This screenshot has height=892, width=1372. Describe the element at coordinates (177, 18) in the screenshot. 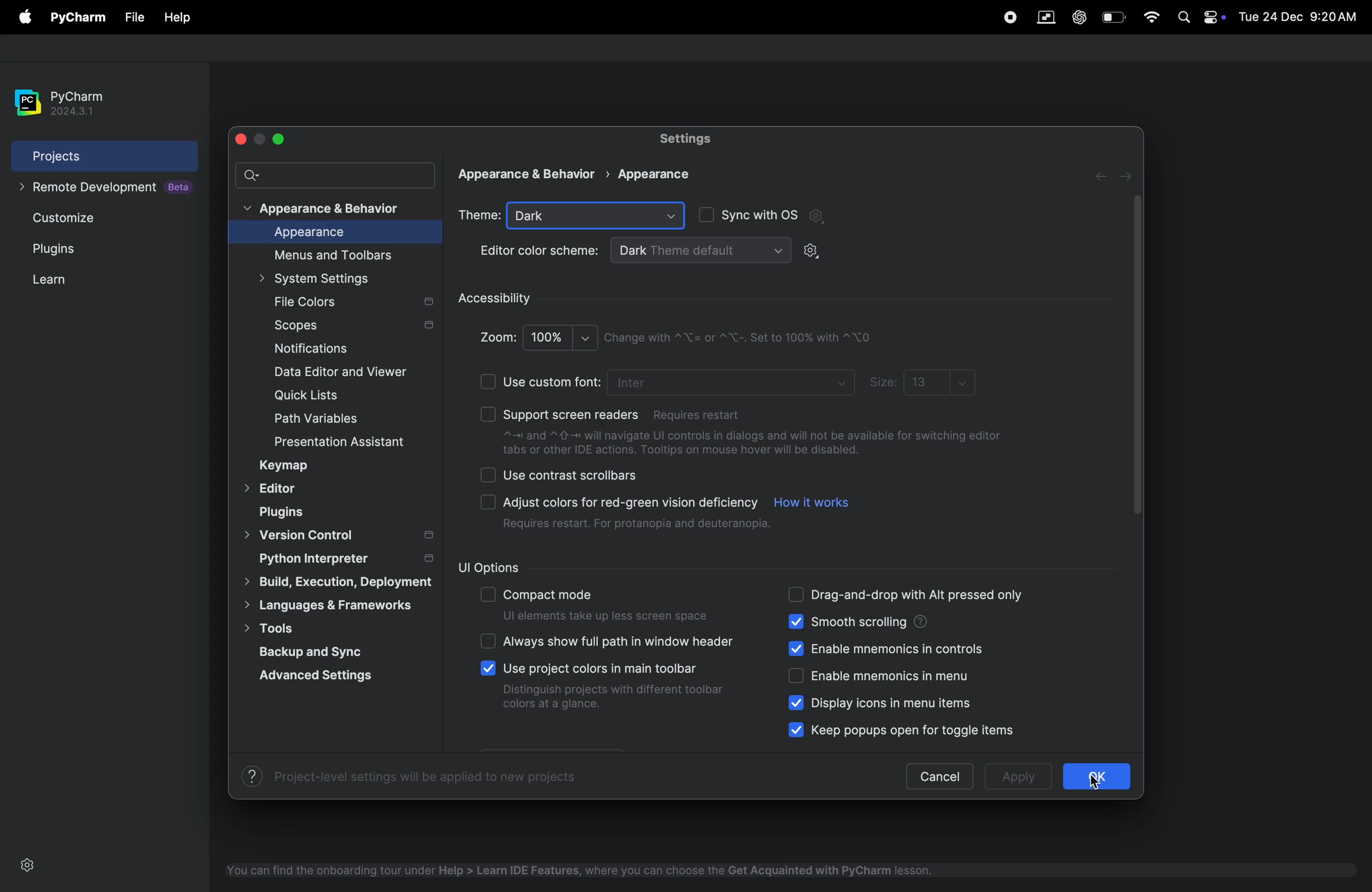

I see `help` at that location.